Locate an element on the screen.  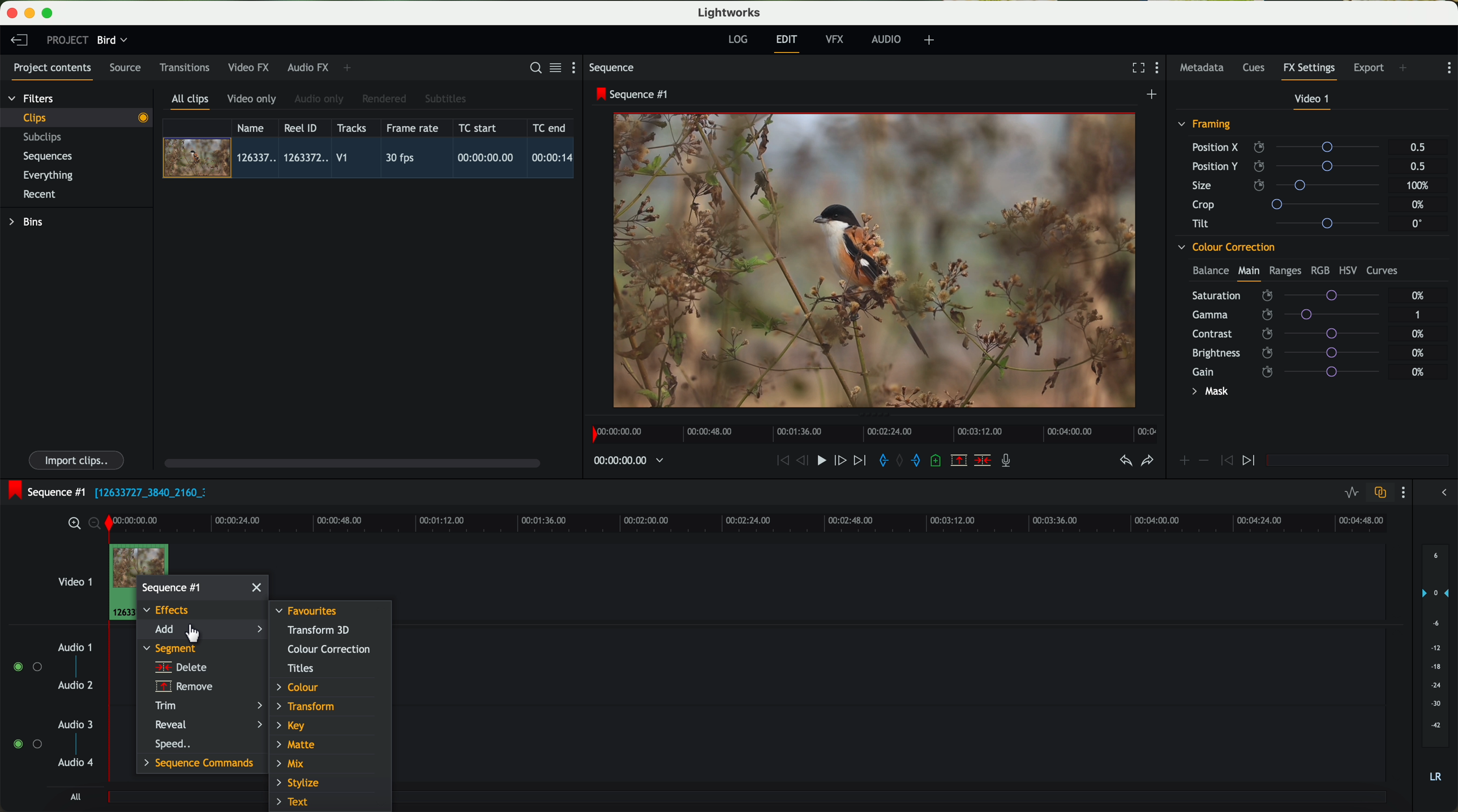
click on add is located at coordinates (209, 631).